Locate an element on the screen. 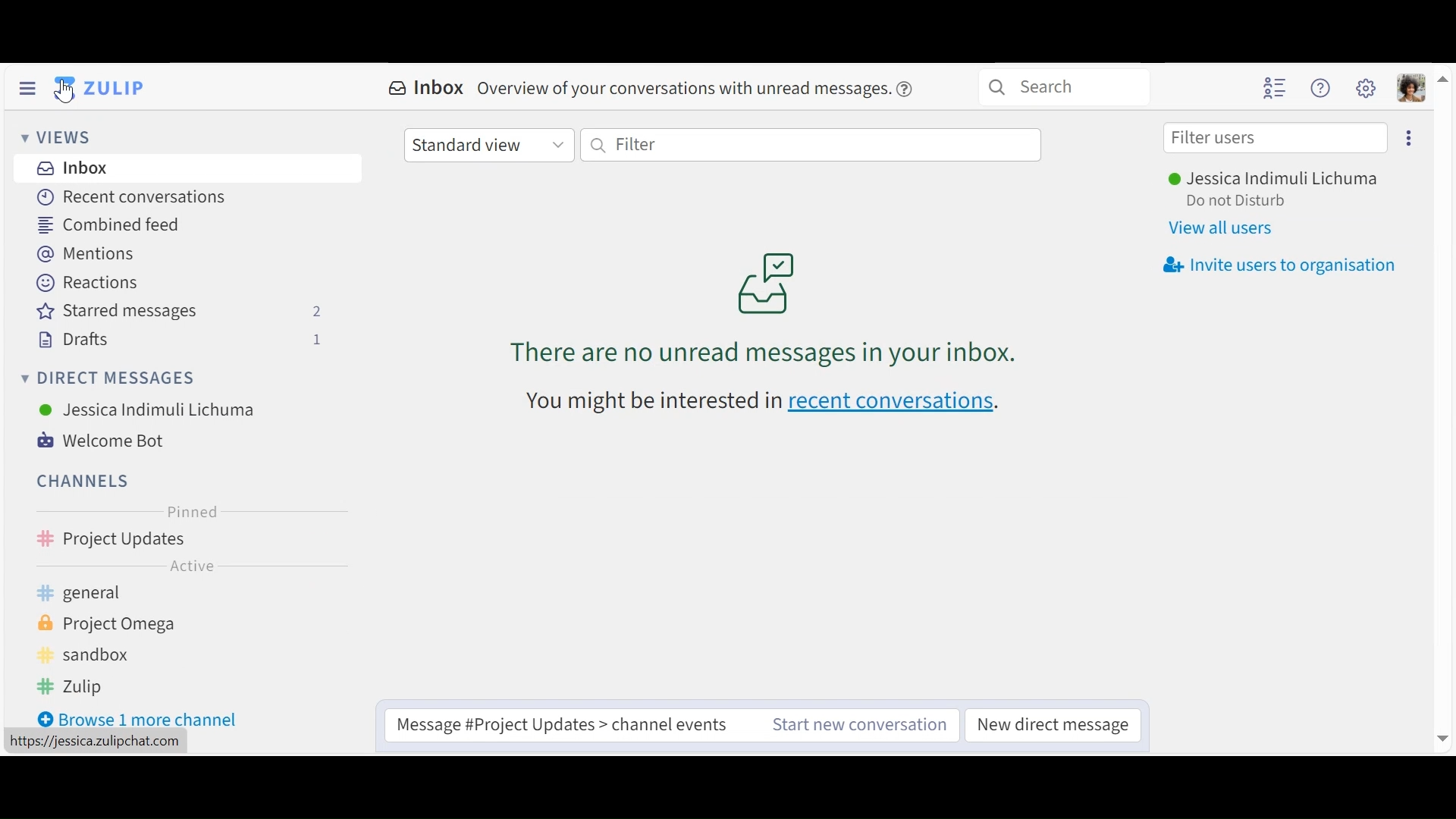  Start new conversation is located at coordinates (862, 725).